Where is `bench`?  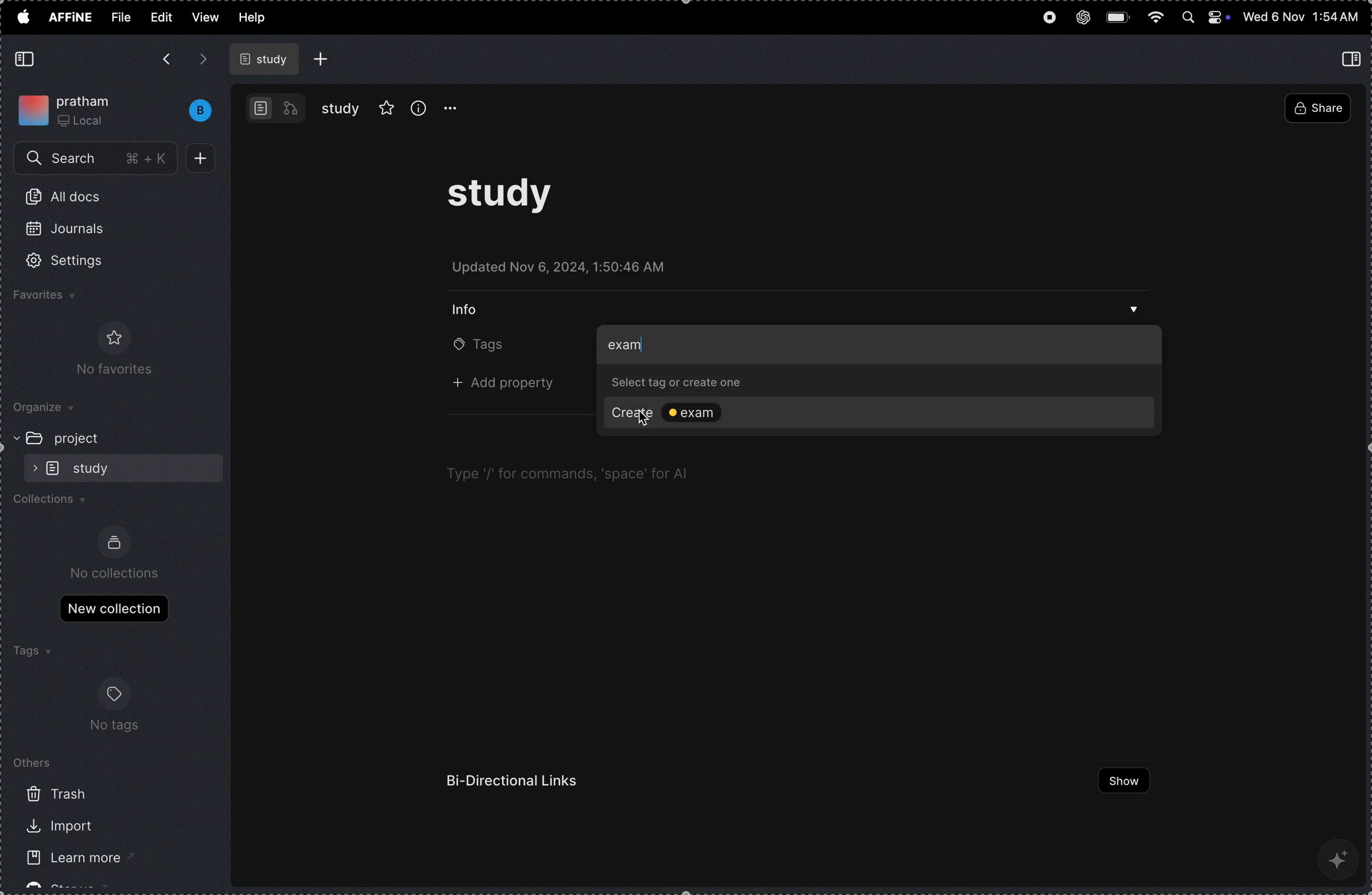
bench is located at coordinates (194, 111).